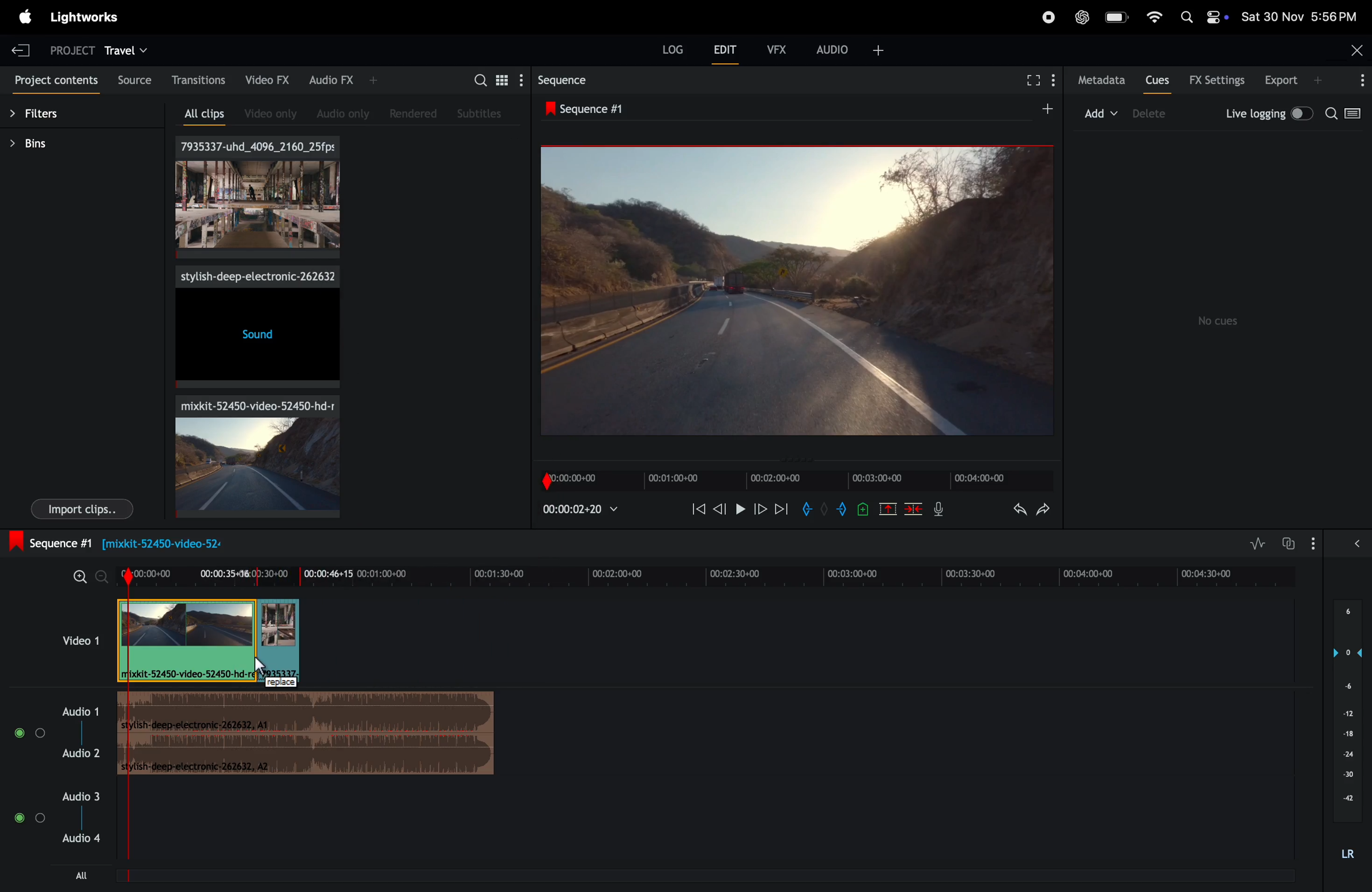 This screenshot has width=1372, height=892. What do you see at coordinates (128, 50) in the screenshot?
I see `travel` at bounding box center [128, 50].